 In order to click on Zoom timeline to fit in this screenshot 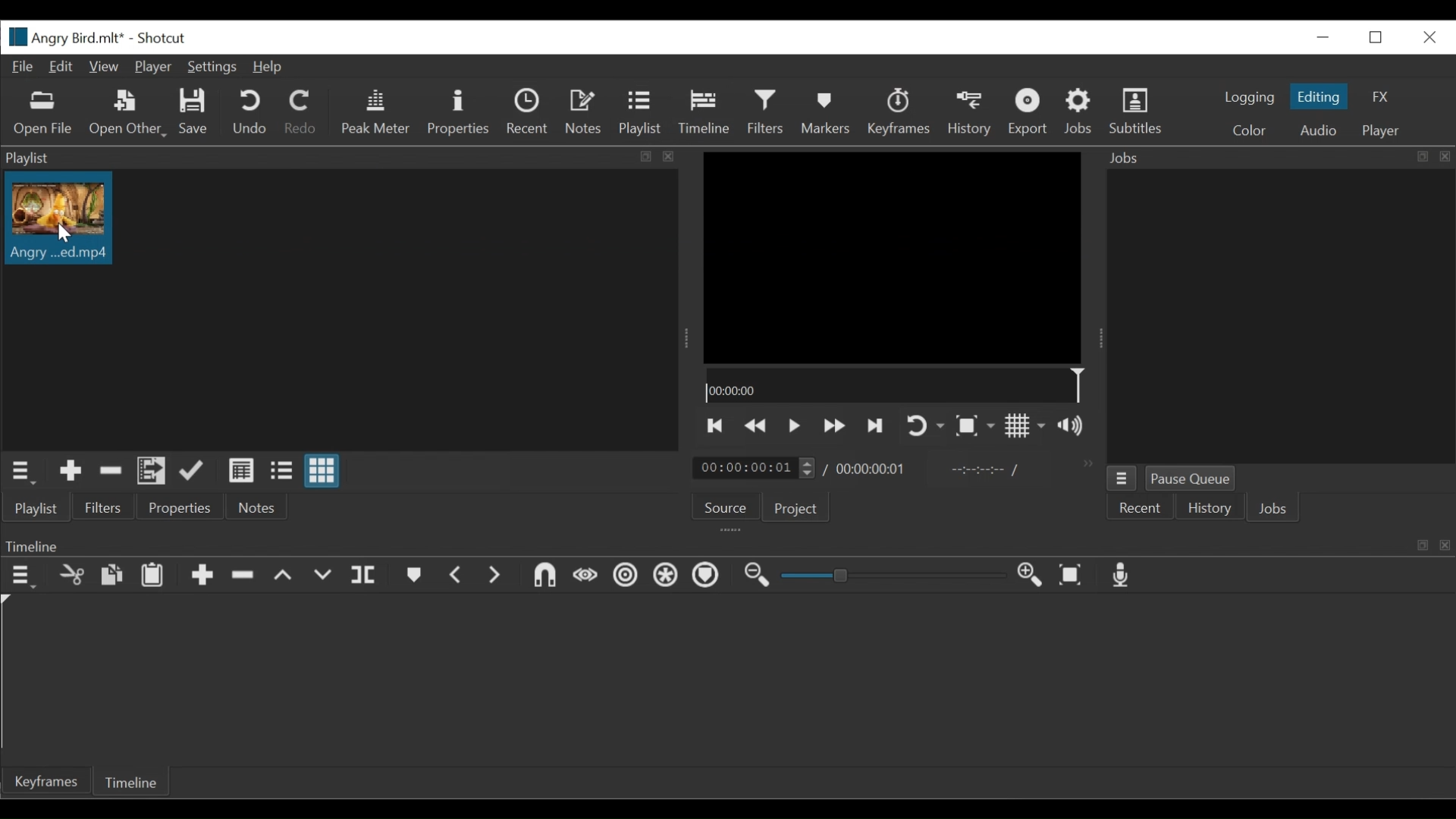, I will do `click(1073, 575)`.